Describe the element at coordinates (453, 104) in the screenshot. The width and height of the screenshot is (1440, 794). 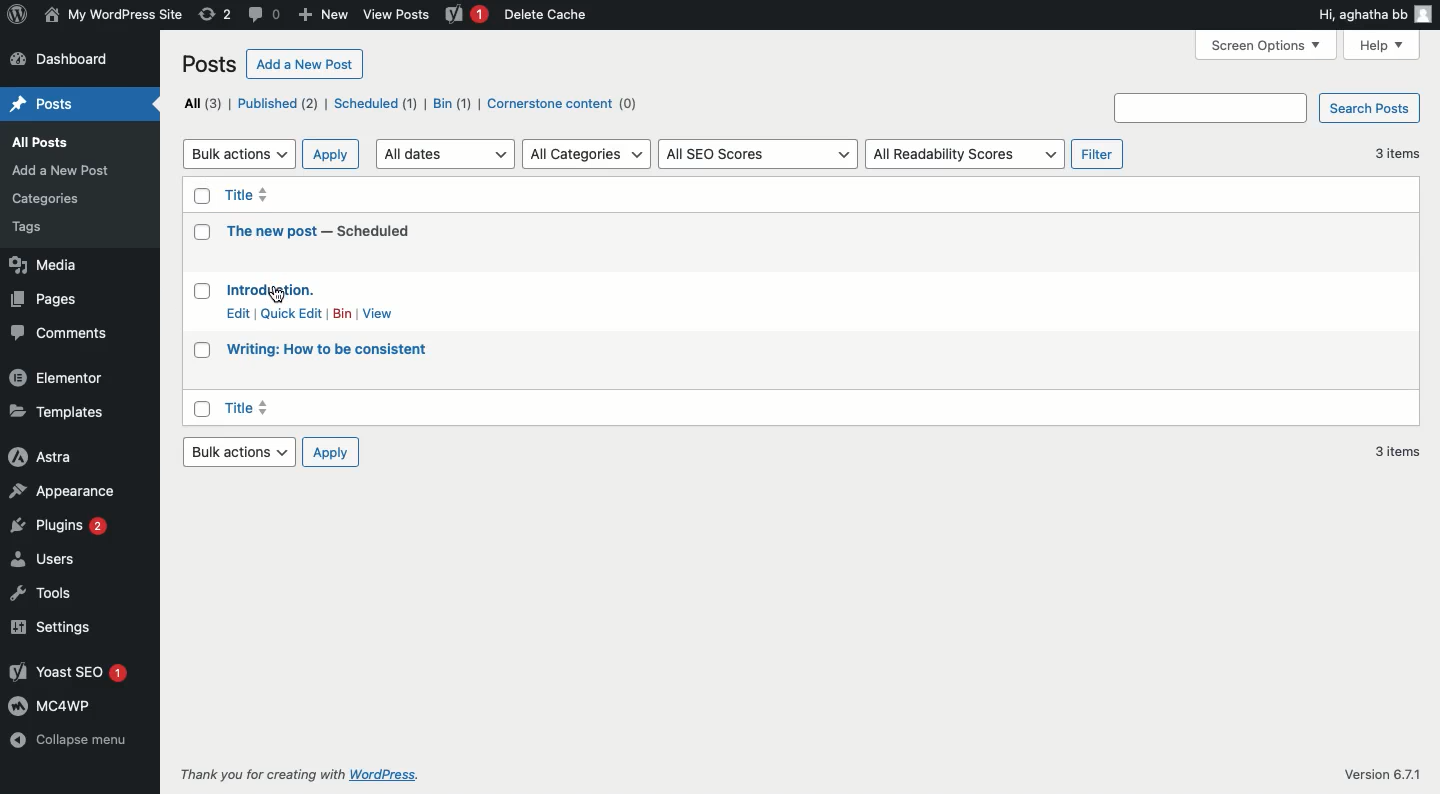
I see `Bin` at that location.